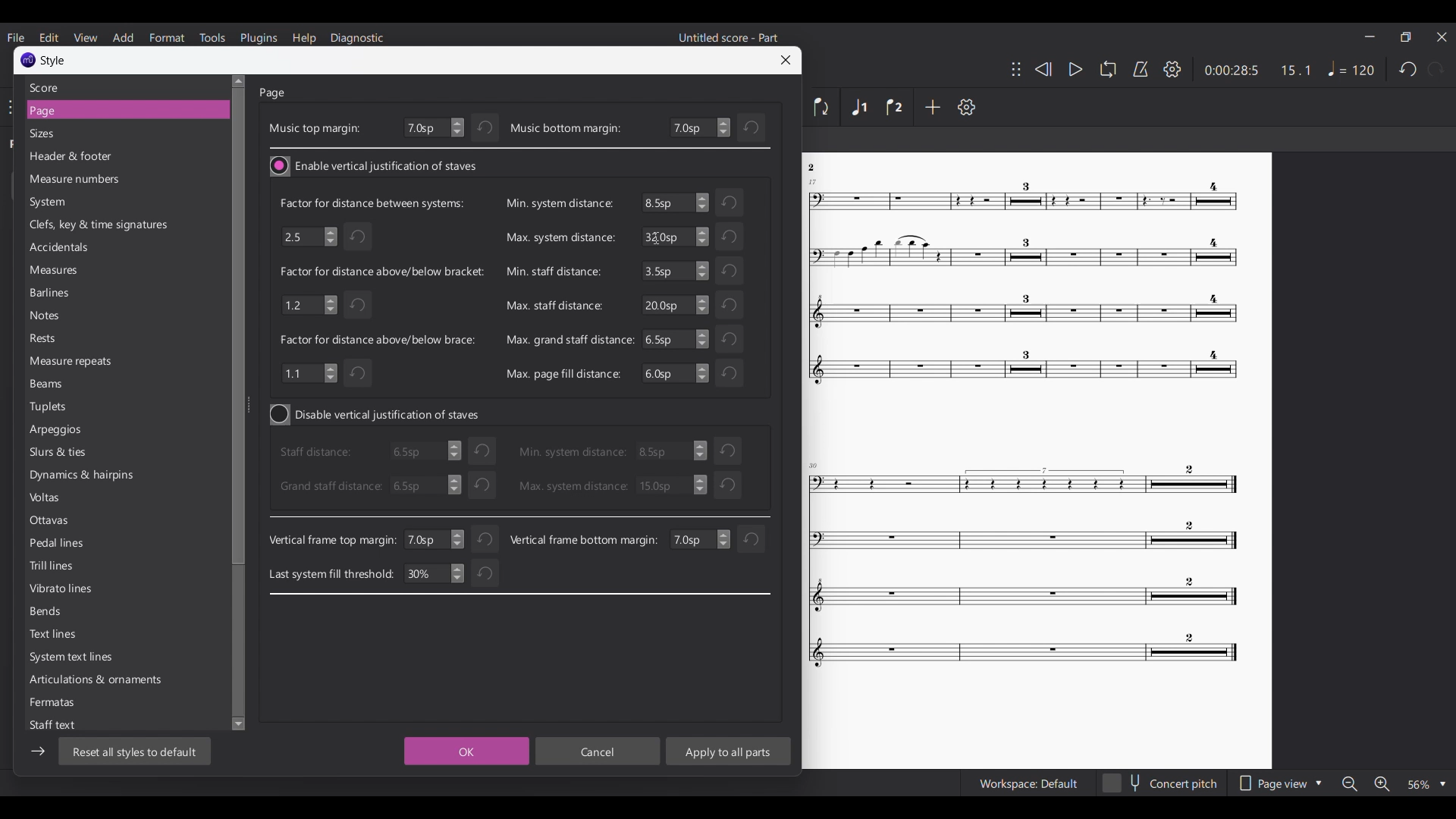 The image size is (1456, 819). What do you see at coordinates (105, 225) in the screenshot?
I see `Clefs, key & time signature` at bounding box center [105, 225].